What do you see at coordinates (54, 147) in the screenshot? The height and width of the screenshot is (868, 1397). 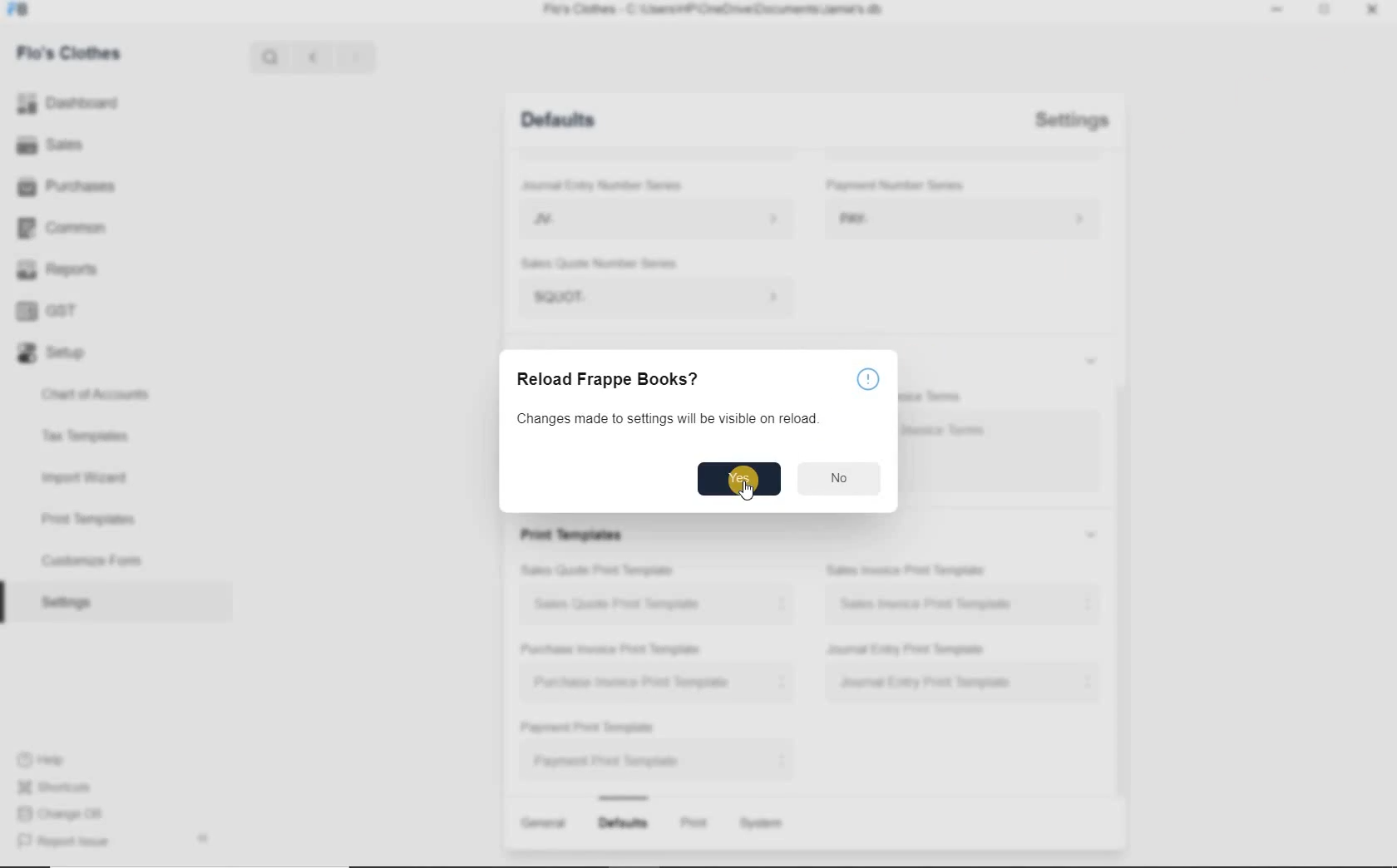 I see `Sales` at bounding box center [54, 147].